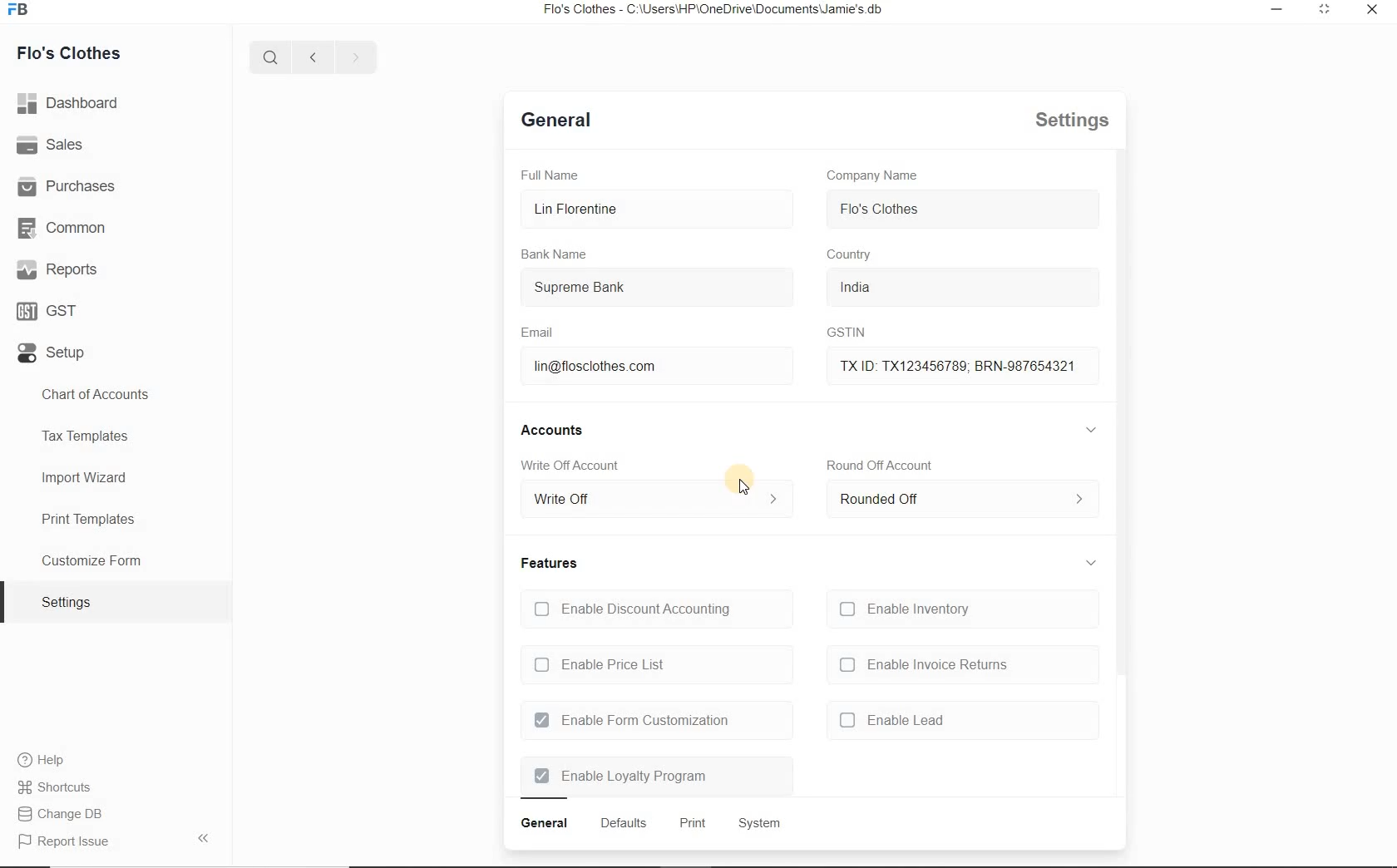 This screenshot has width=1397, height=868. I want to click on close window, so click(1370, 10).